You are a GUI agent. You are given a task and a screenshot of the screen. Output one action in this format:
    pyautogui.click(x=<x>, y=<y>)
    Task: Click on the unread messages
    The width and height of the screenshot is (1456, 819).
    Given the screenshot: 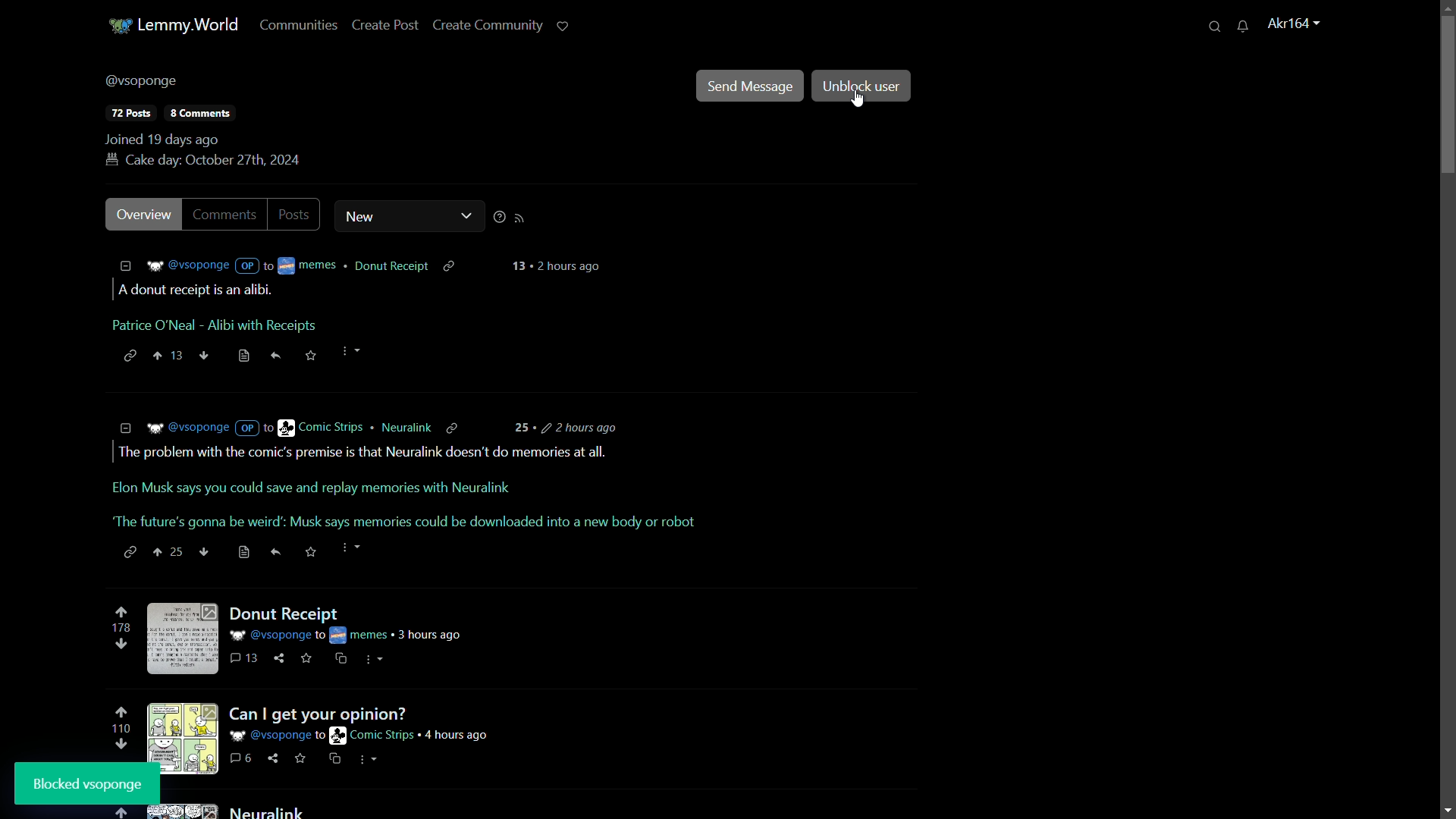 What is the action you would take?
    pyautogui.click(x=1243, y=27)
    